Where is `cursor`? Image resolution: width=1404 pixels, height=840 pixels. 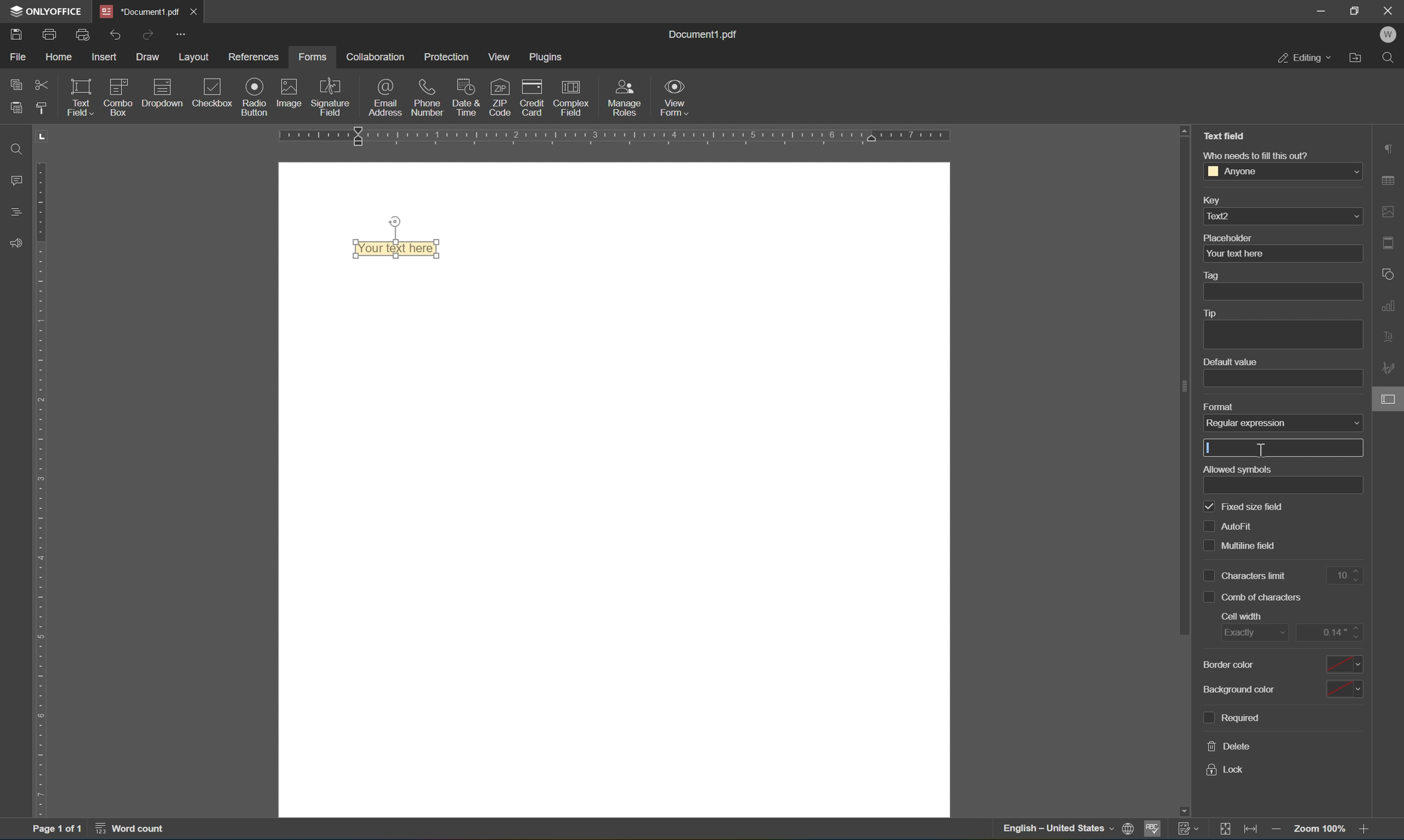
cursor is located at coordinates (1260, 449).